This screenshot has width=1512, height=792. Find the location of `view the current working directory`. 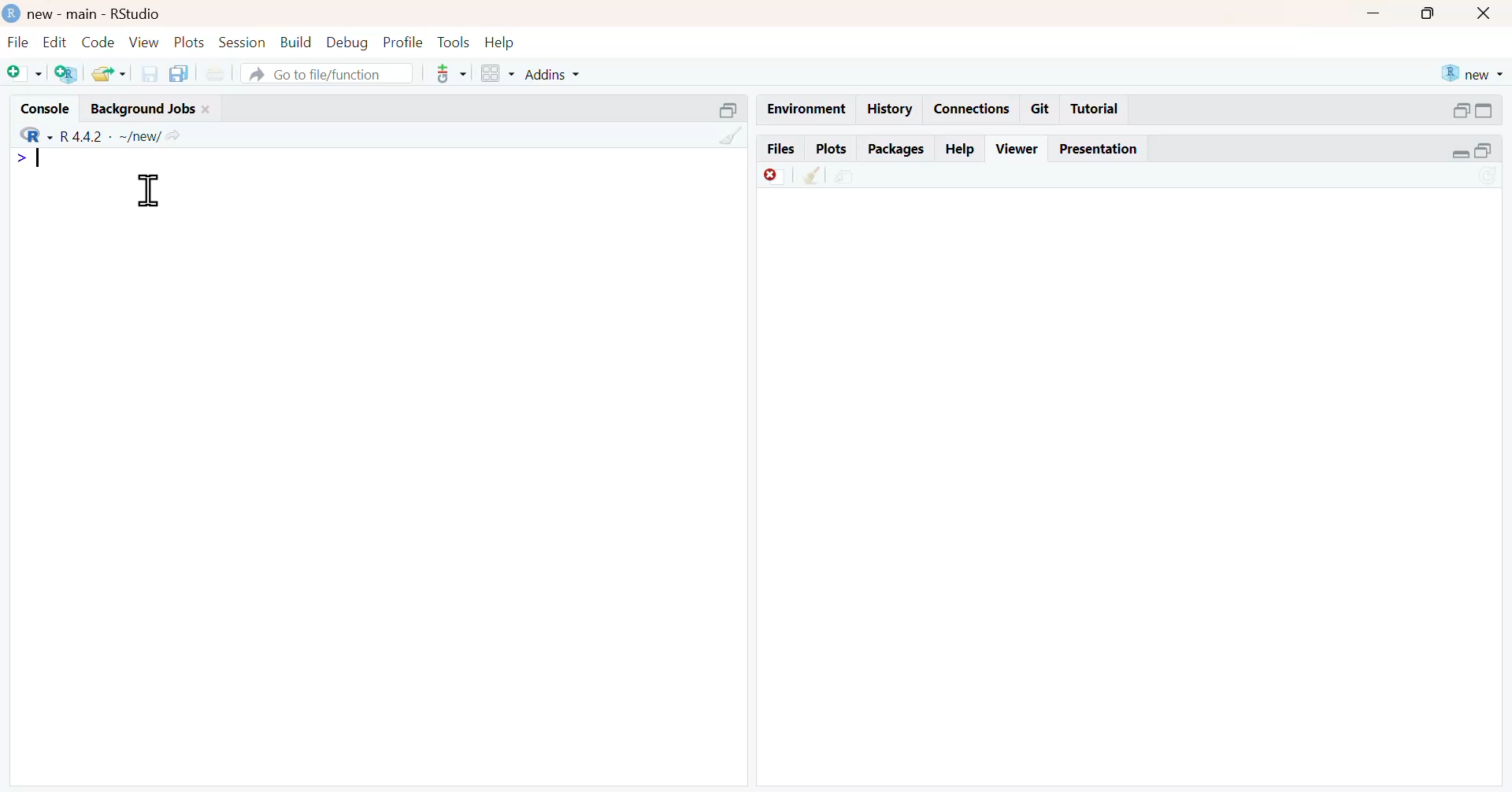

view the current working directory is located at coordinates (178, 135).